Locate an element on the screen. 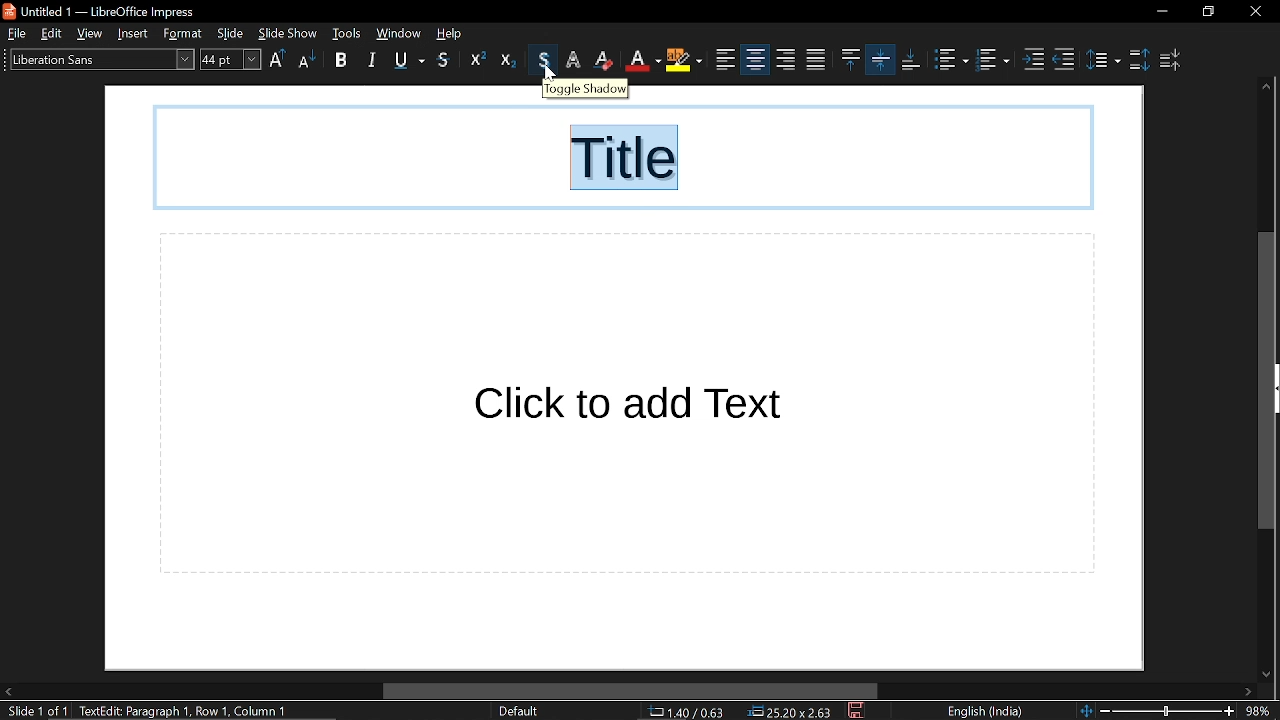  zoom out is located at coordinates (1105, 710).